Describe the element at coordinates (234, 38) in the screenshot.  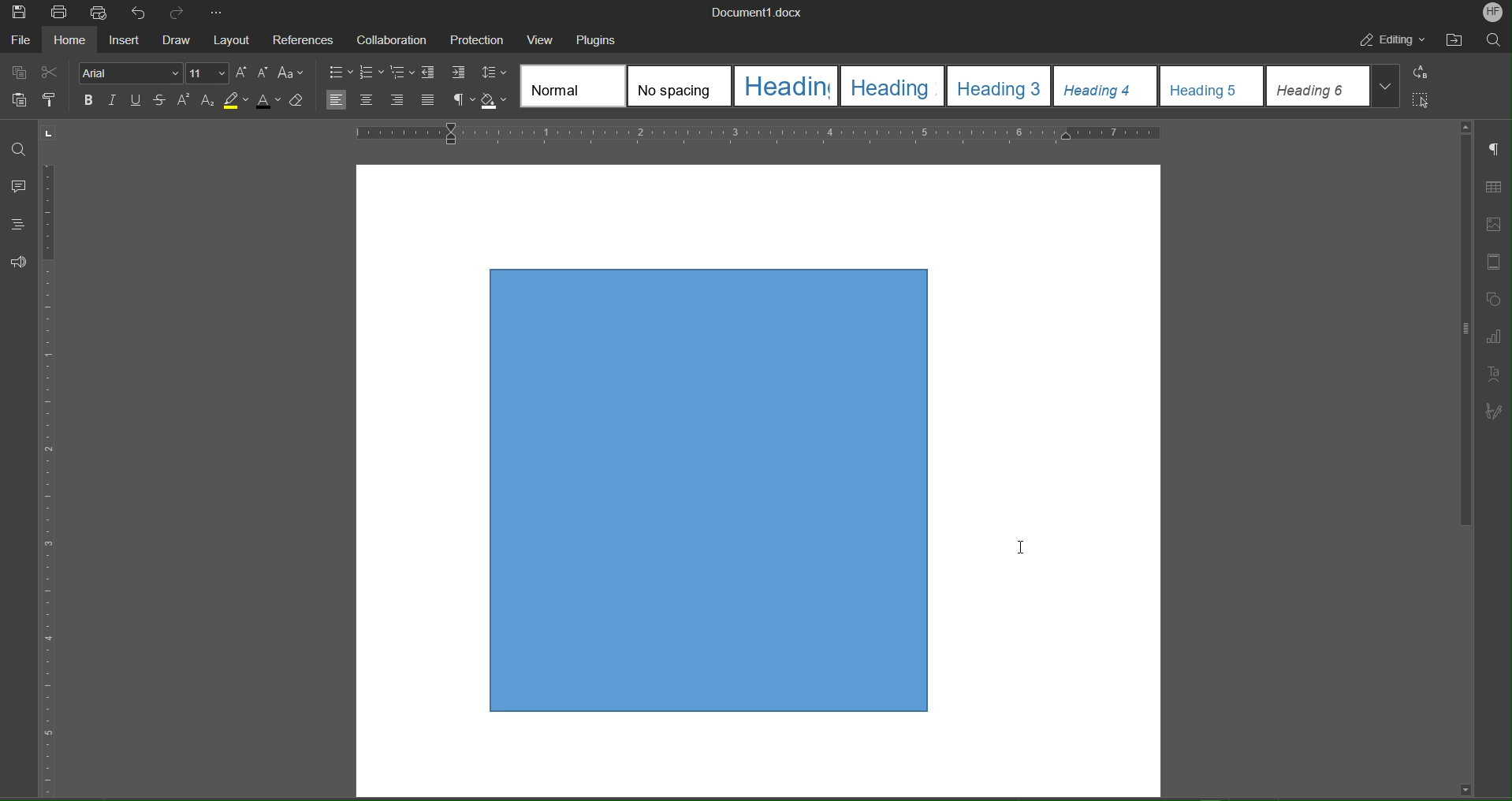
I see `Layout` at that location.